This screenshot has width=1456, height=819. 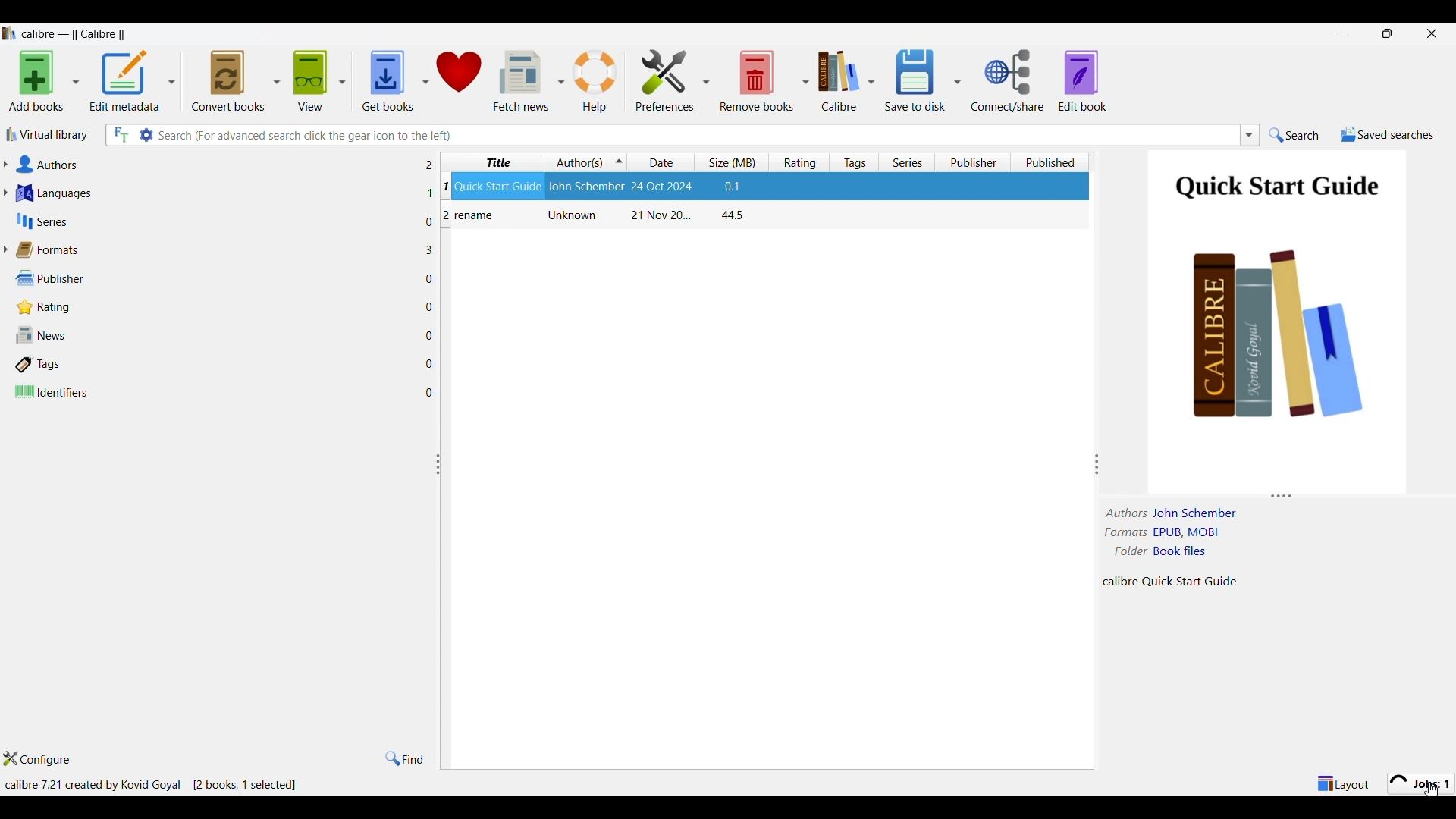 I want to click on Get book options, so click(x=424, y=82).